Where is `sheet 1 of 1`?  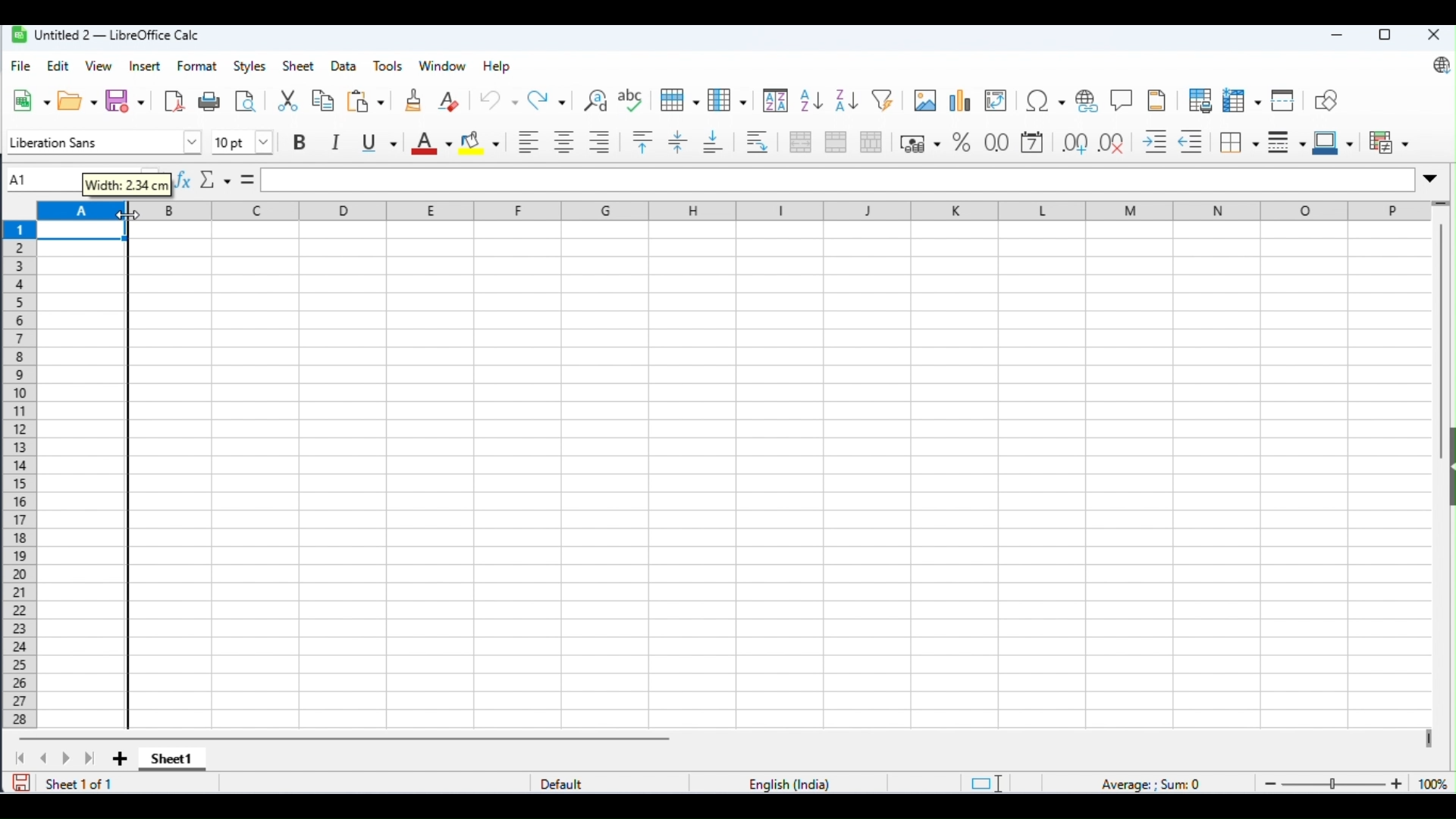 sheet 1 of 1 is located at coordinates (79, 783).